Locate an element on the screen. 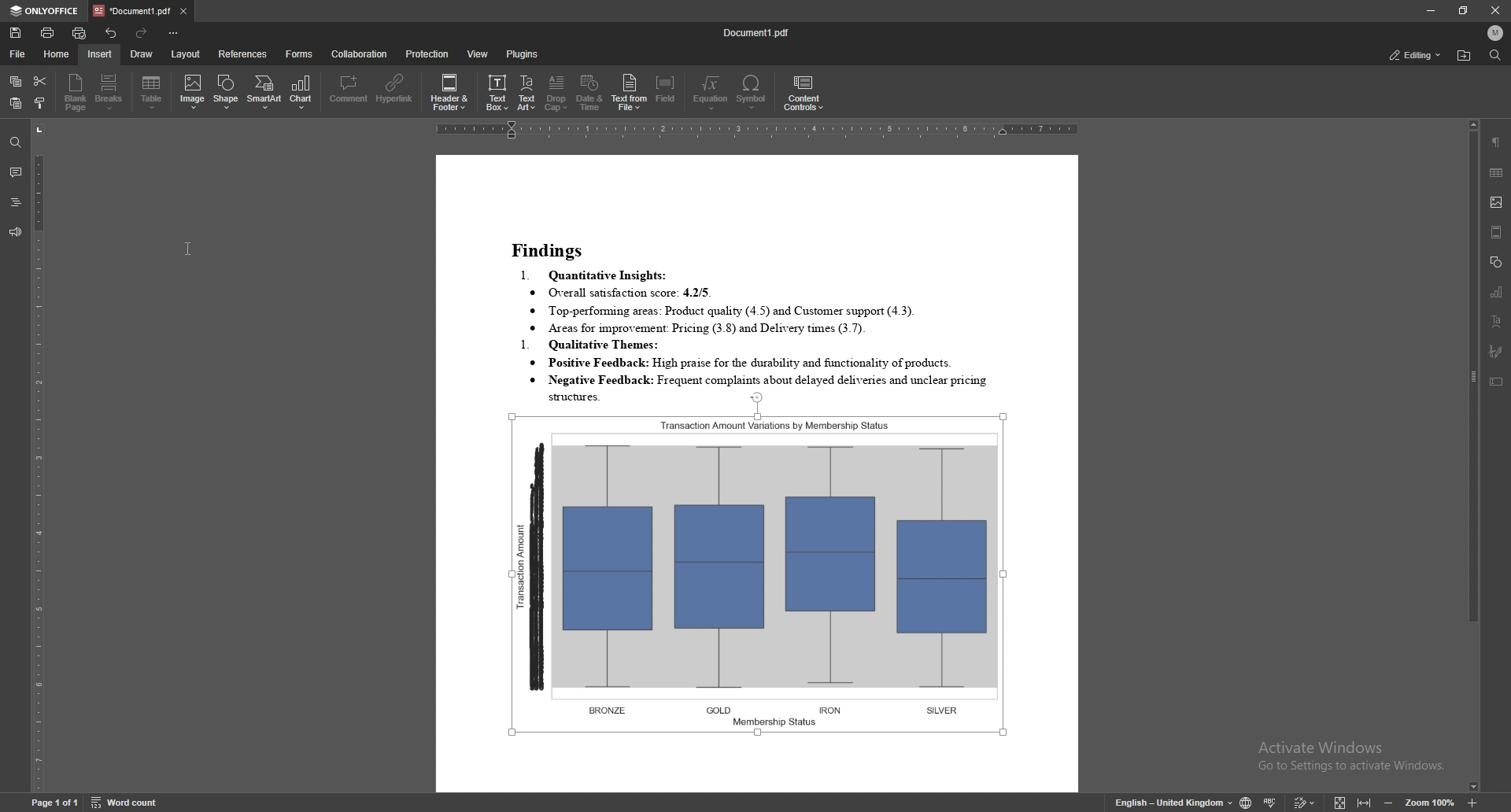  find is located at coordinates (1495, 54).